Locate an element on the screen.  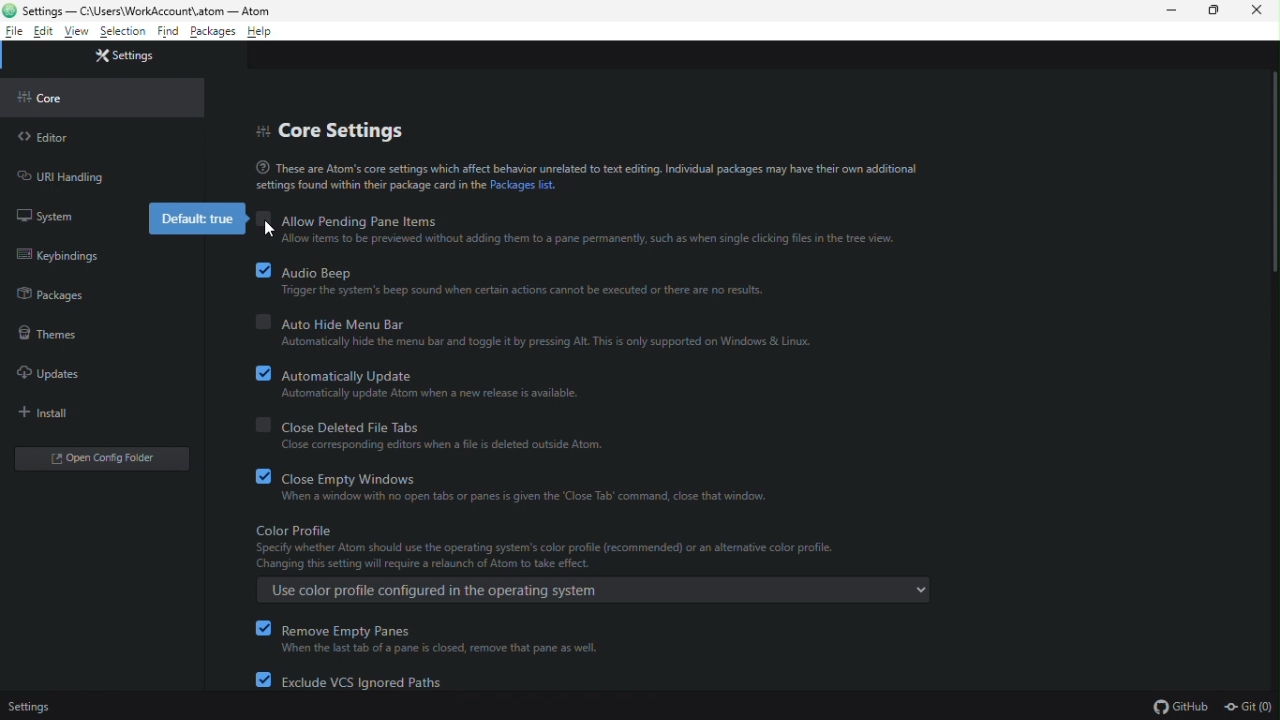
exclude VCs ignored paths is located at coordinates (360, 681).